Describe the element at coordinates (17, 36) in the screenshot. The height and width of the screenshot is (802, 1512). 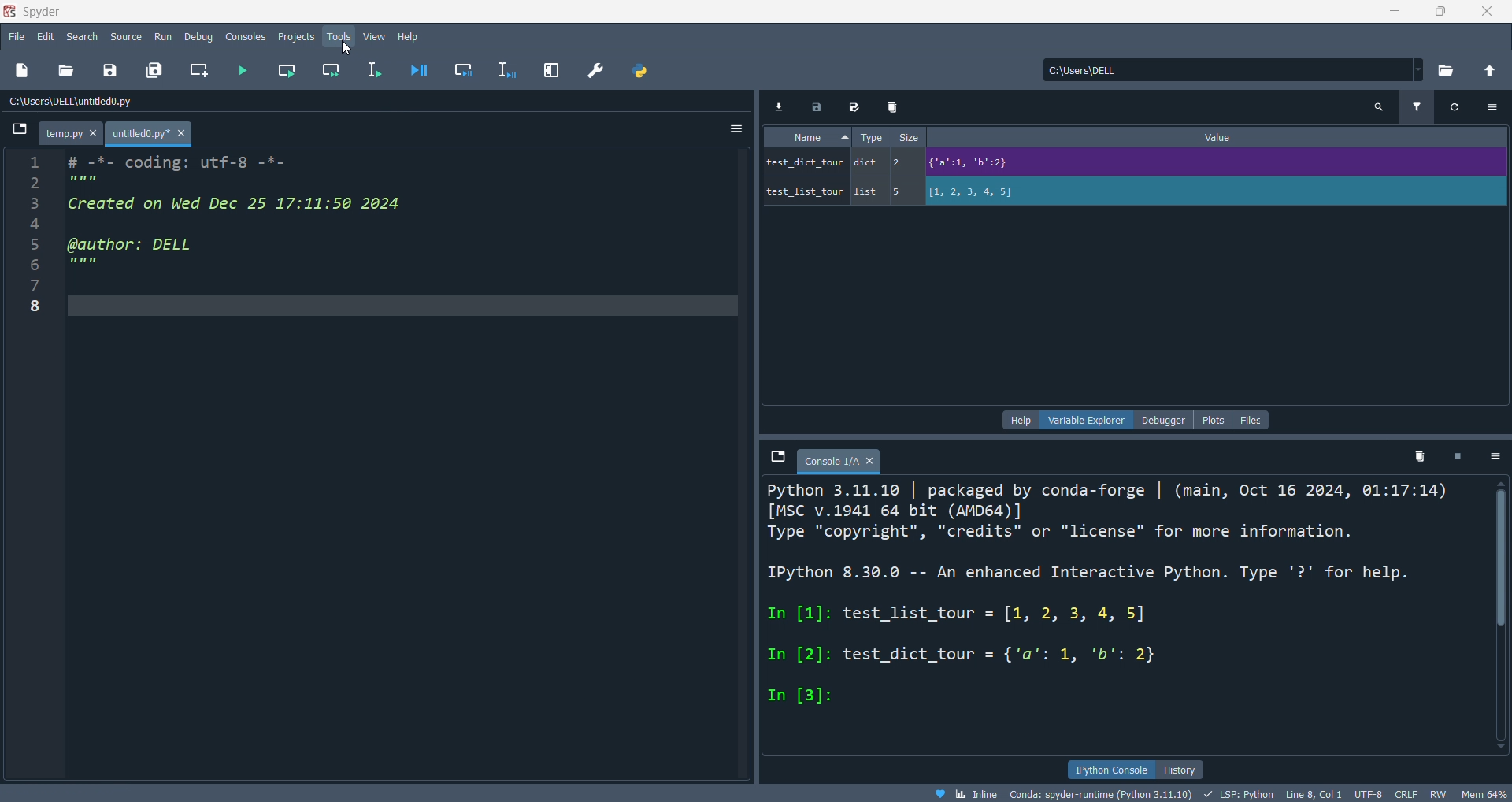
I see `file` at that location.